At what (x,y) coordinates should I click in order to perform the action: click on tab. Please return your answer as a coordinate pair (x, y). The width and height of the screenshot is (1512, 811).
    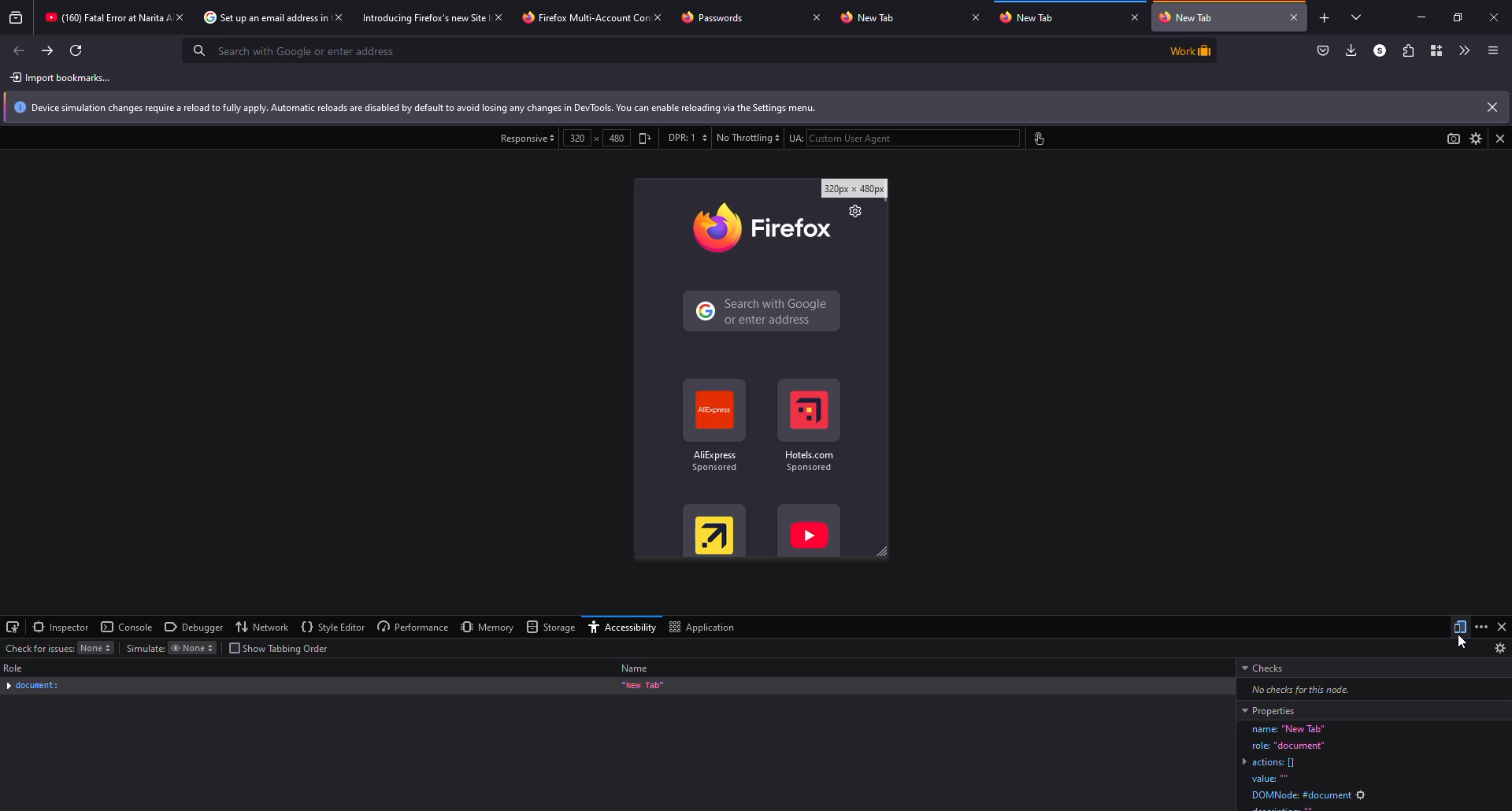
    Looking at the image, I should click on (717, 17).